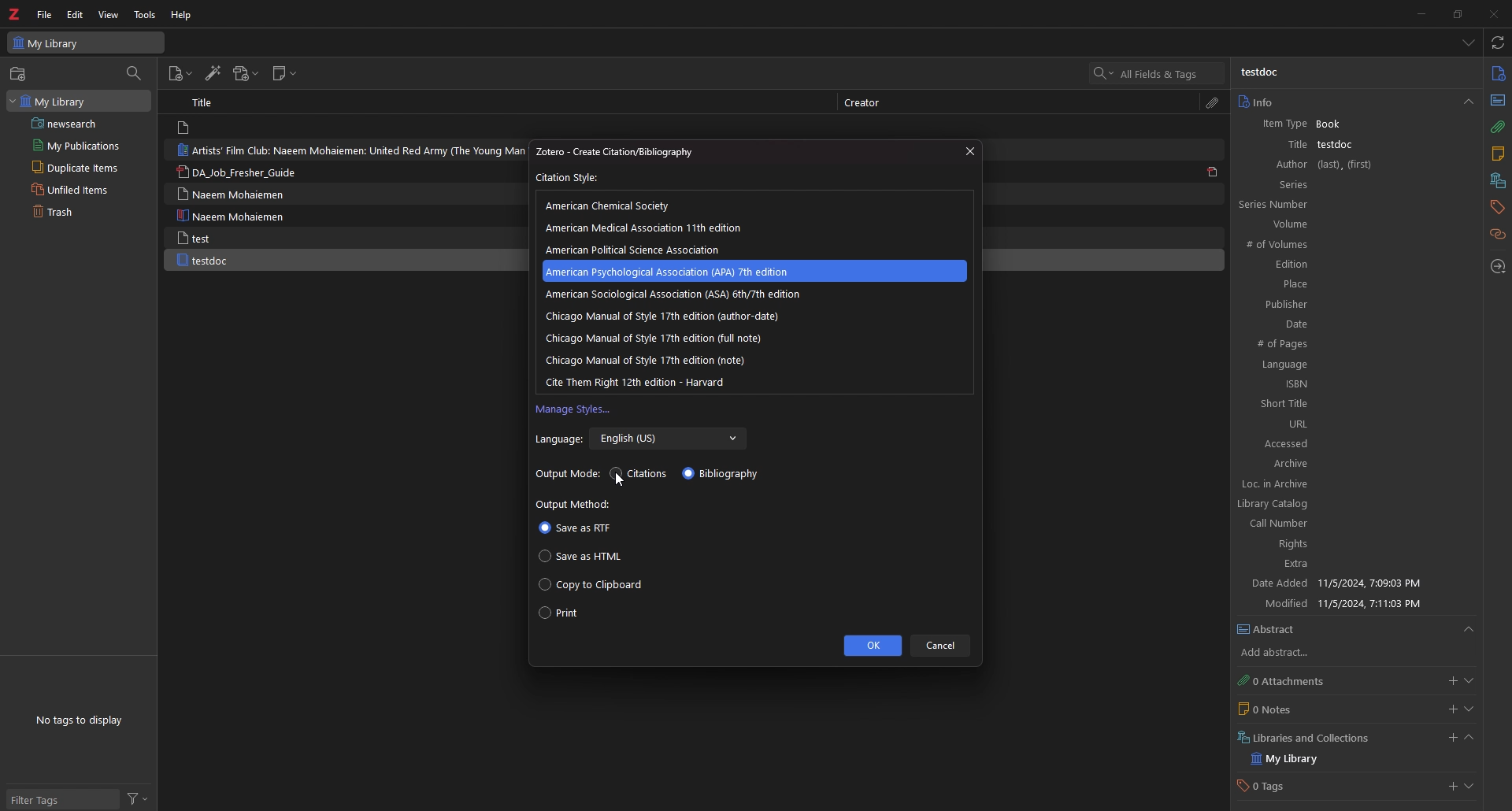 The width and height of the screenshot is (1512, 811). Describe the element at coordinates (44, 15) in the screenshot. I see `file` at that location.